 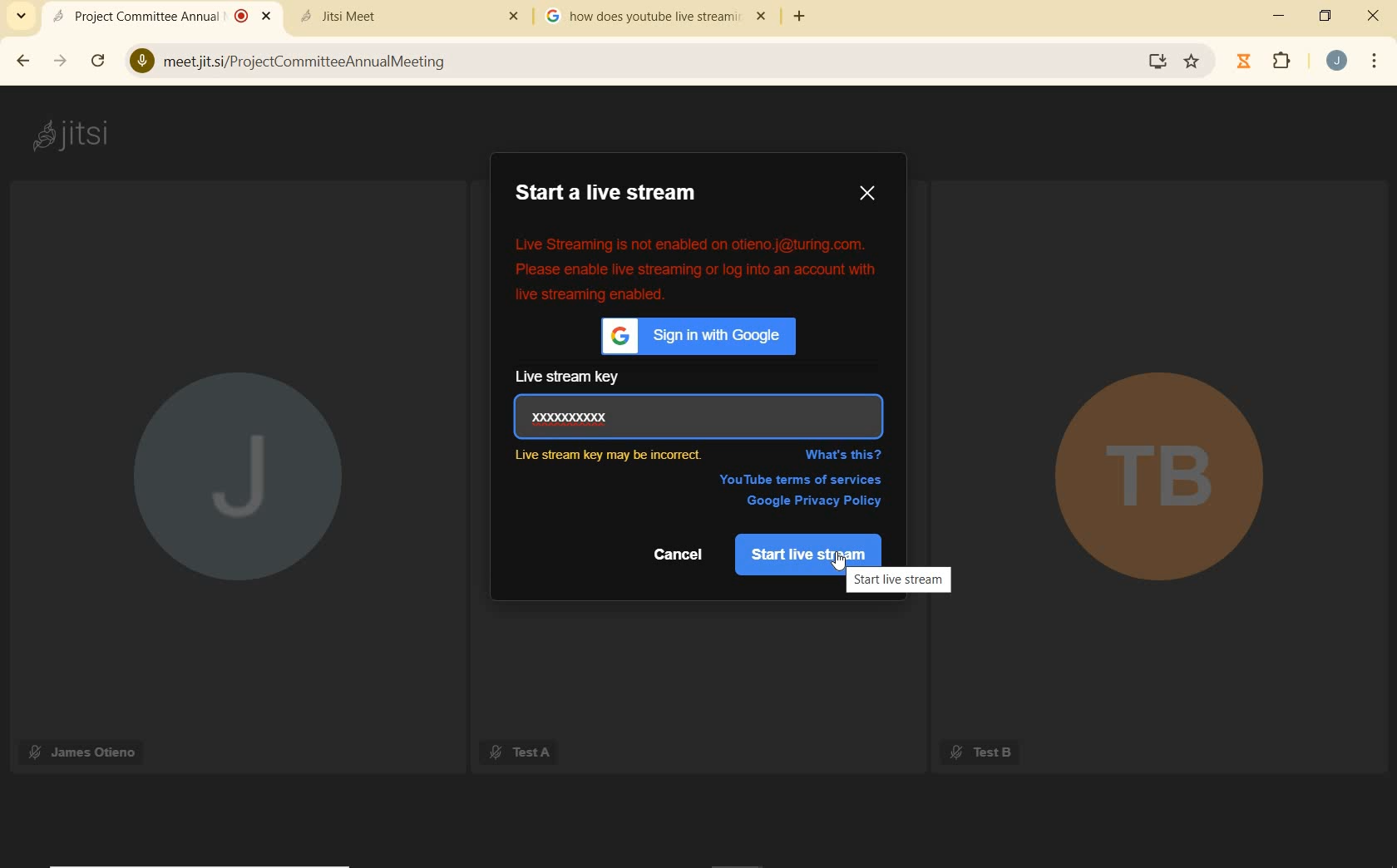 What do you see at coordinates (639, 17) in the screenshot?
I see `tab` at bounding box center [639, 17].